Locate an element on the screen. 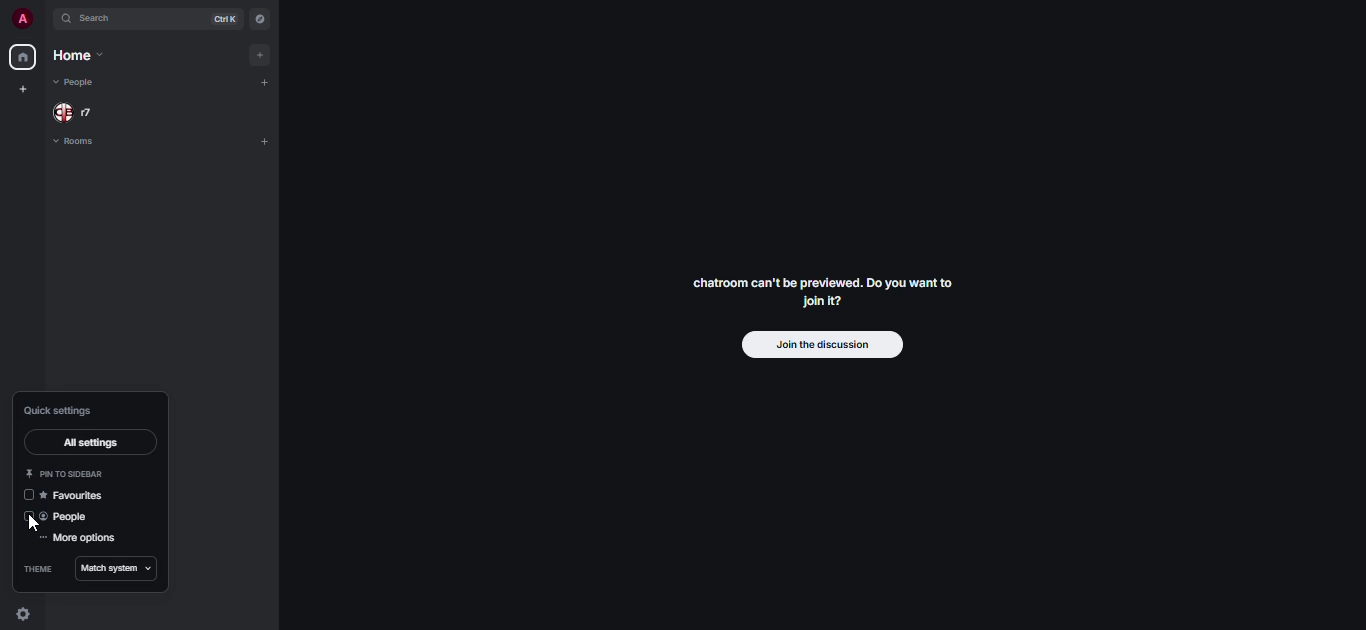  join the discussion is located at coordinates (820, 346).